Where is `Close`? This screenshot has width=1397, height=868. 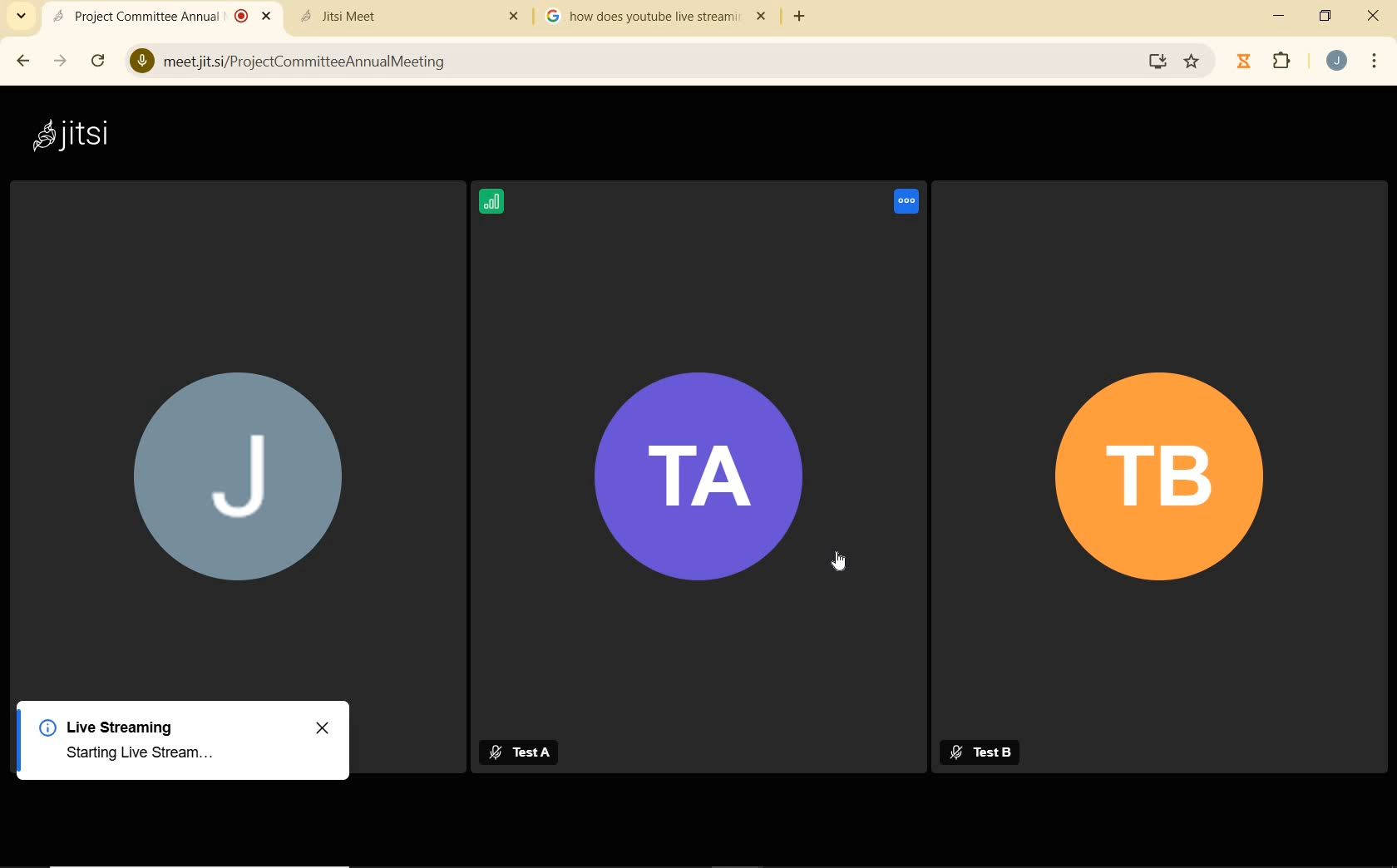 Close is located at coordinates (269, 18).